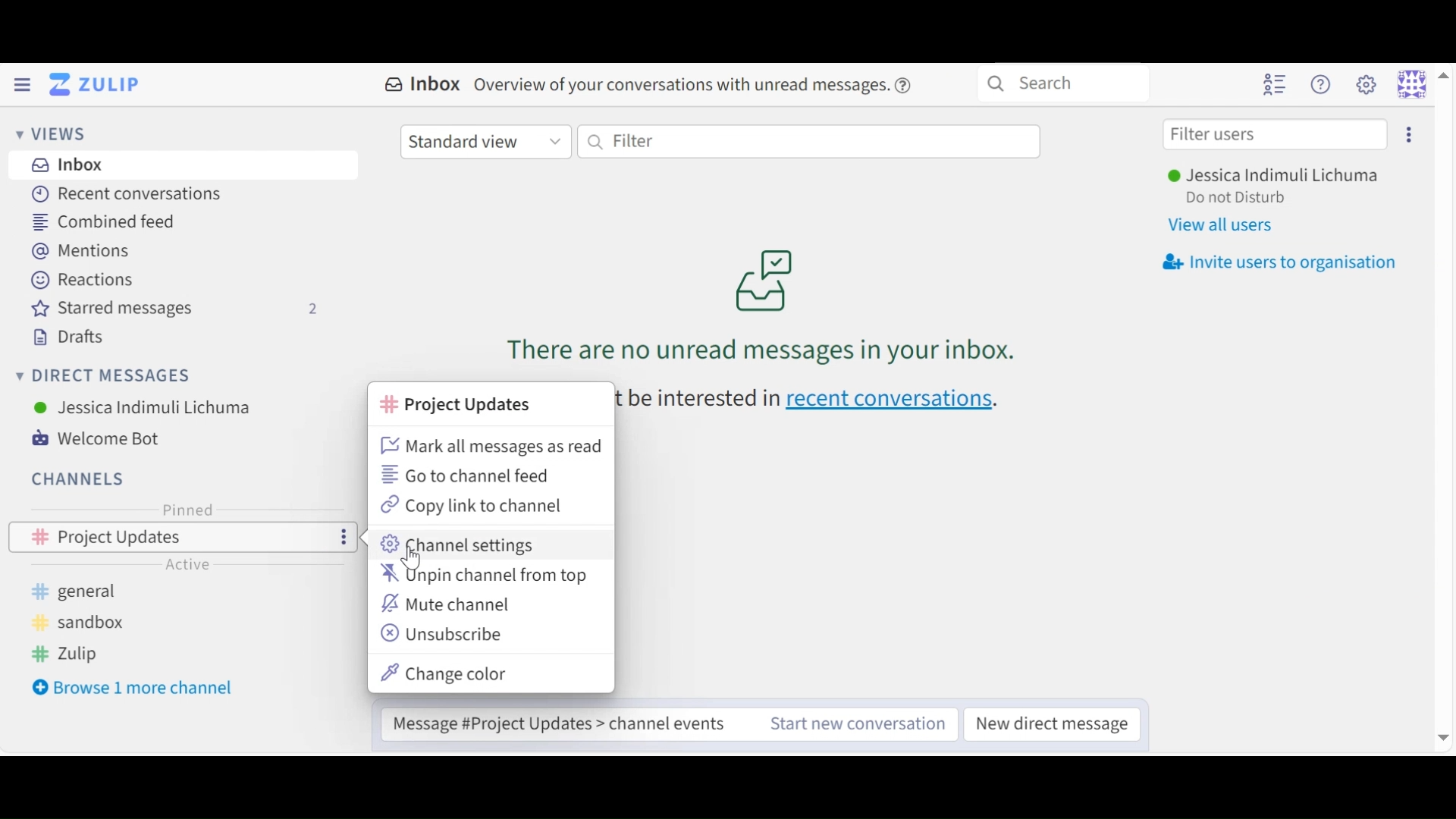  What do you see at coordinates (1054, 725) in the screenshot?
I see `New direct message` at bounding box center [1054, 725].